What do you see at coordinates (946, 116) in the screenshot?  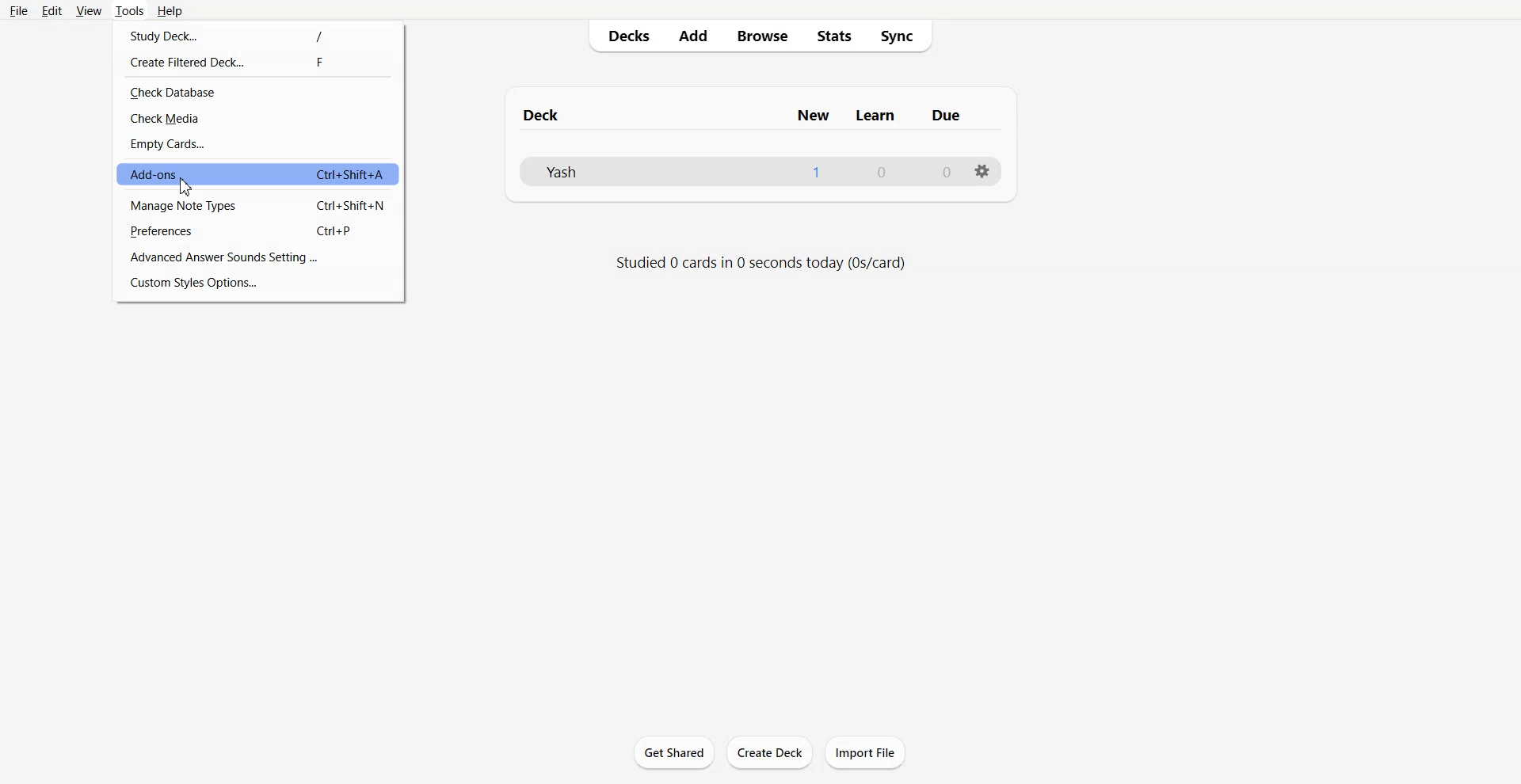 I see `due` at bounding box center [946, 116].